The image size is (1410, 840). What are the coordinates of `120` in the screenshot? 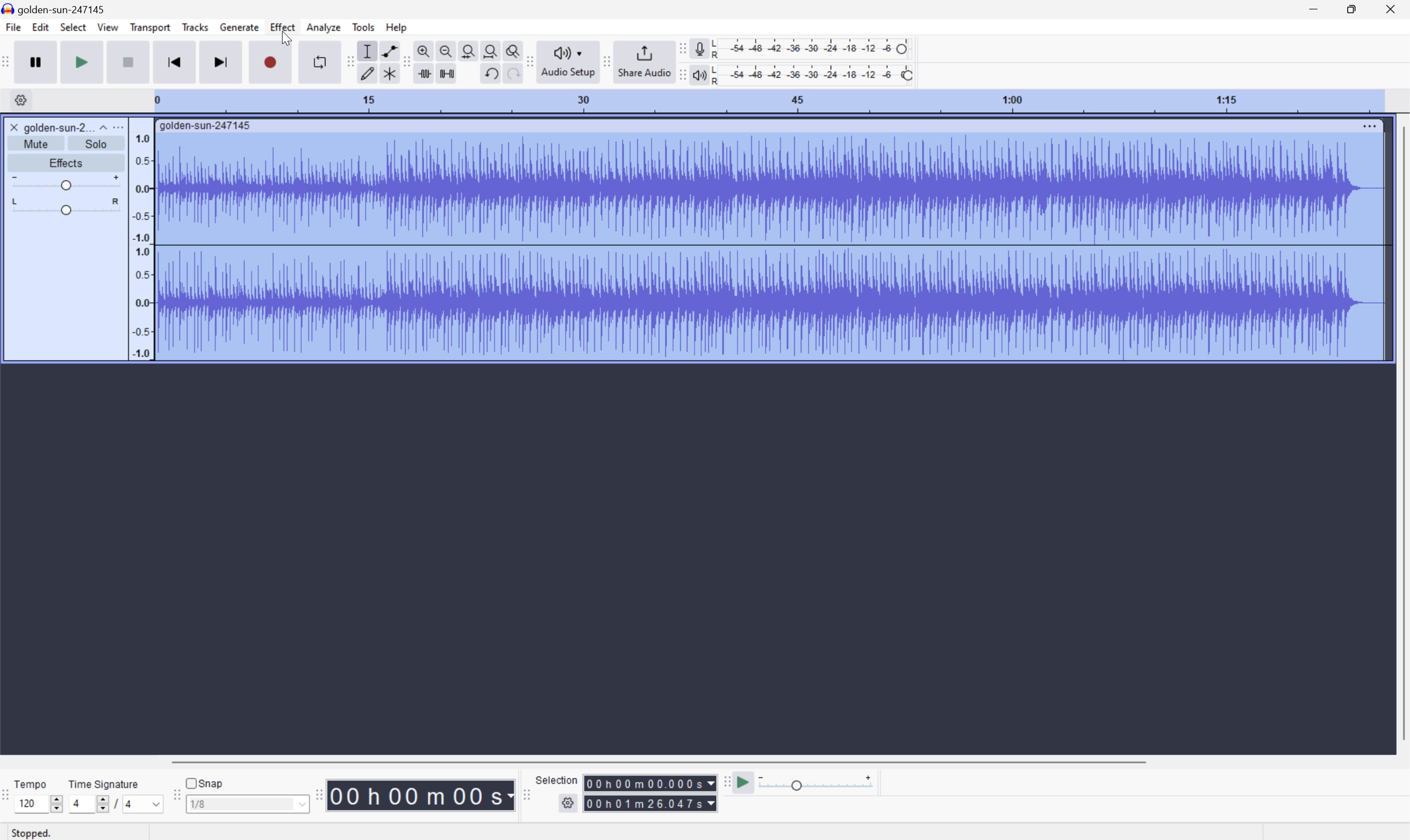 It's located at (33, 804).